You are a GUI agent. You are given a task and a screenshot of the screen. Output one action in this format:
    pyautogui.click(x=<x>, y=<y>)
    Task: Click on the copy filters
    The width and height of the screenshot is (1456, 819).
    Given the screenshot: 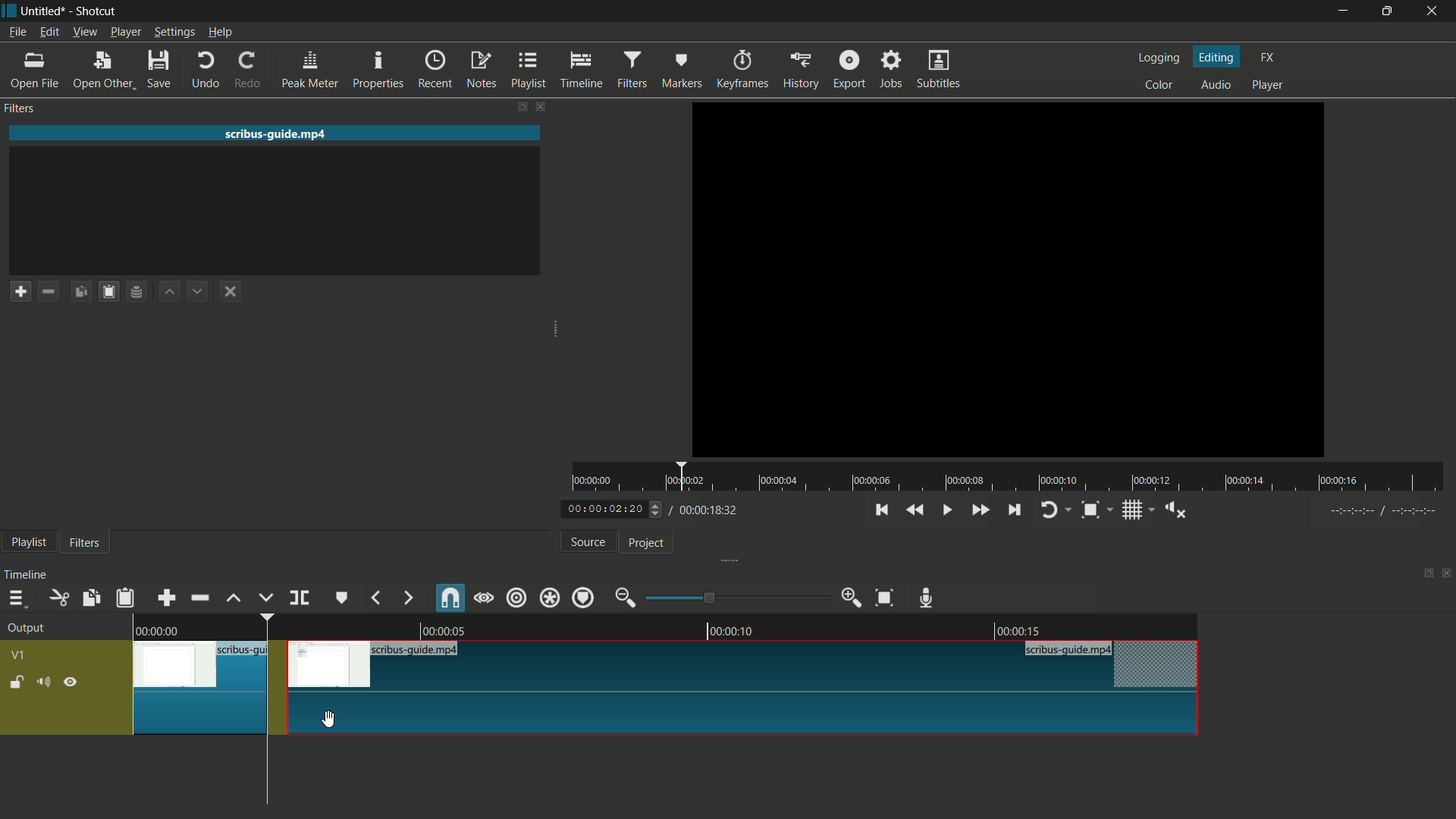 What is the action you would take?
    pyautogui.click(x=81, y=292)
    